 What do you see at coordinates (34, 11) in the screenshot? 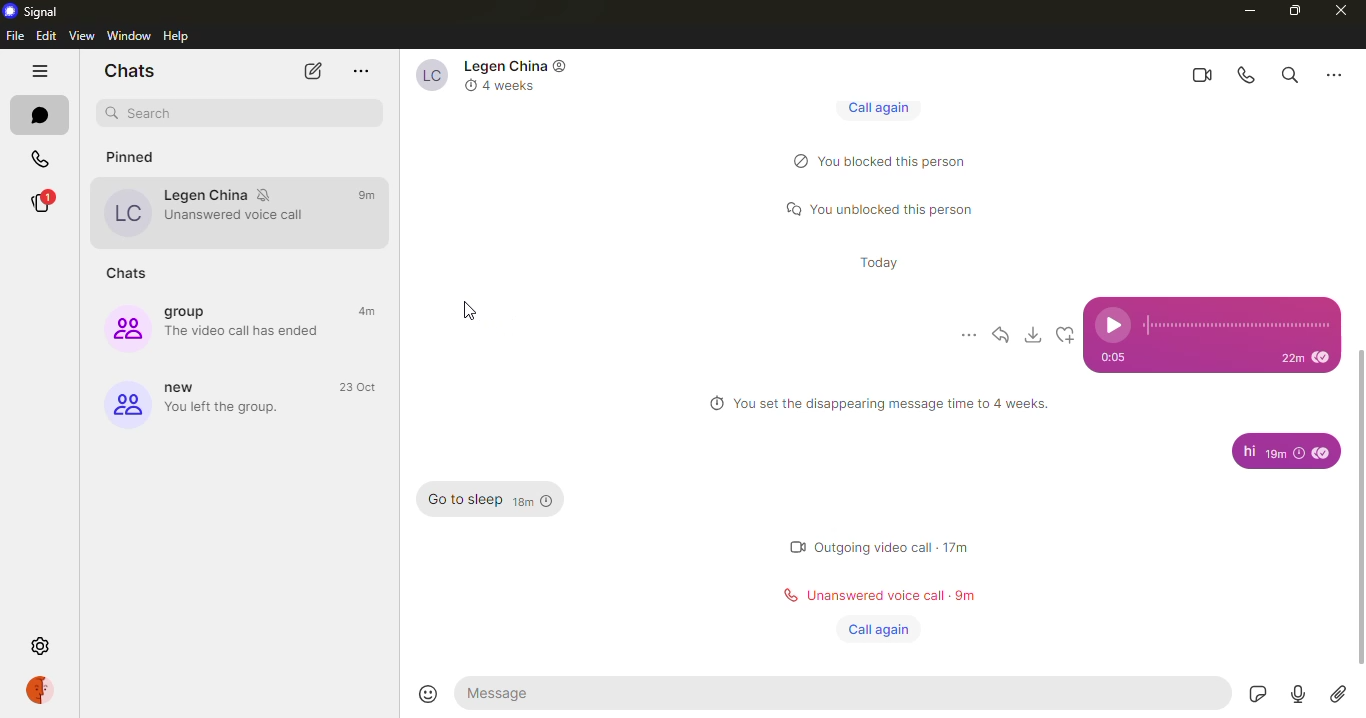
I see `signal` at bounding box center [34, 11].